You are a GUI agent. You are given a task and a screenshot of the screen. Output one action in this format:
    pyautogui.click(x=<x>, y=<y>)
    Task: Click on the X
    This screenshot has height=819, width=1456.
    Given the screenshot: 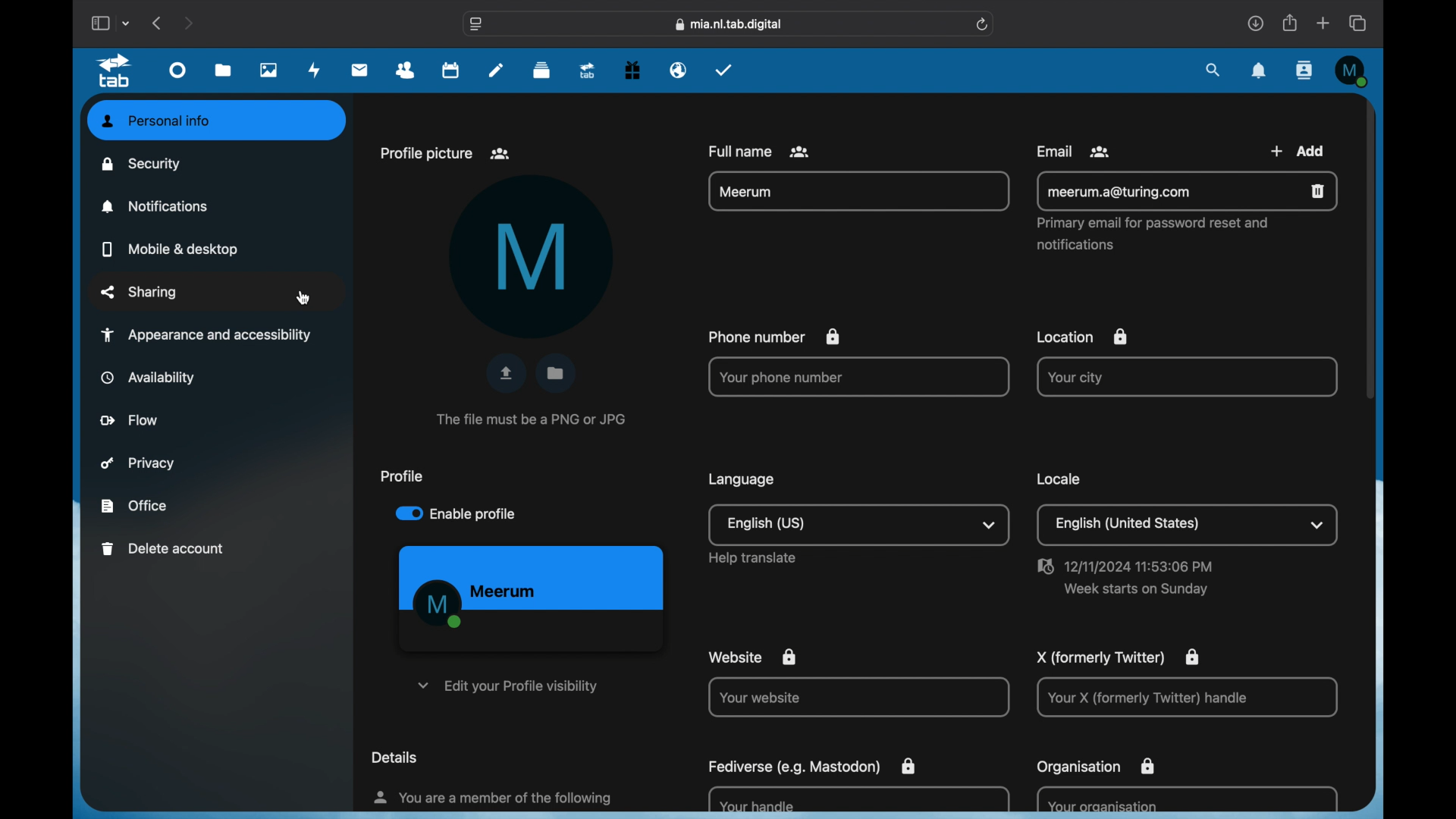 What is the action you would take?
    pyautogui.click(x=1121, y=660)
    